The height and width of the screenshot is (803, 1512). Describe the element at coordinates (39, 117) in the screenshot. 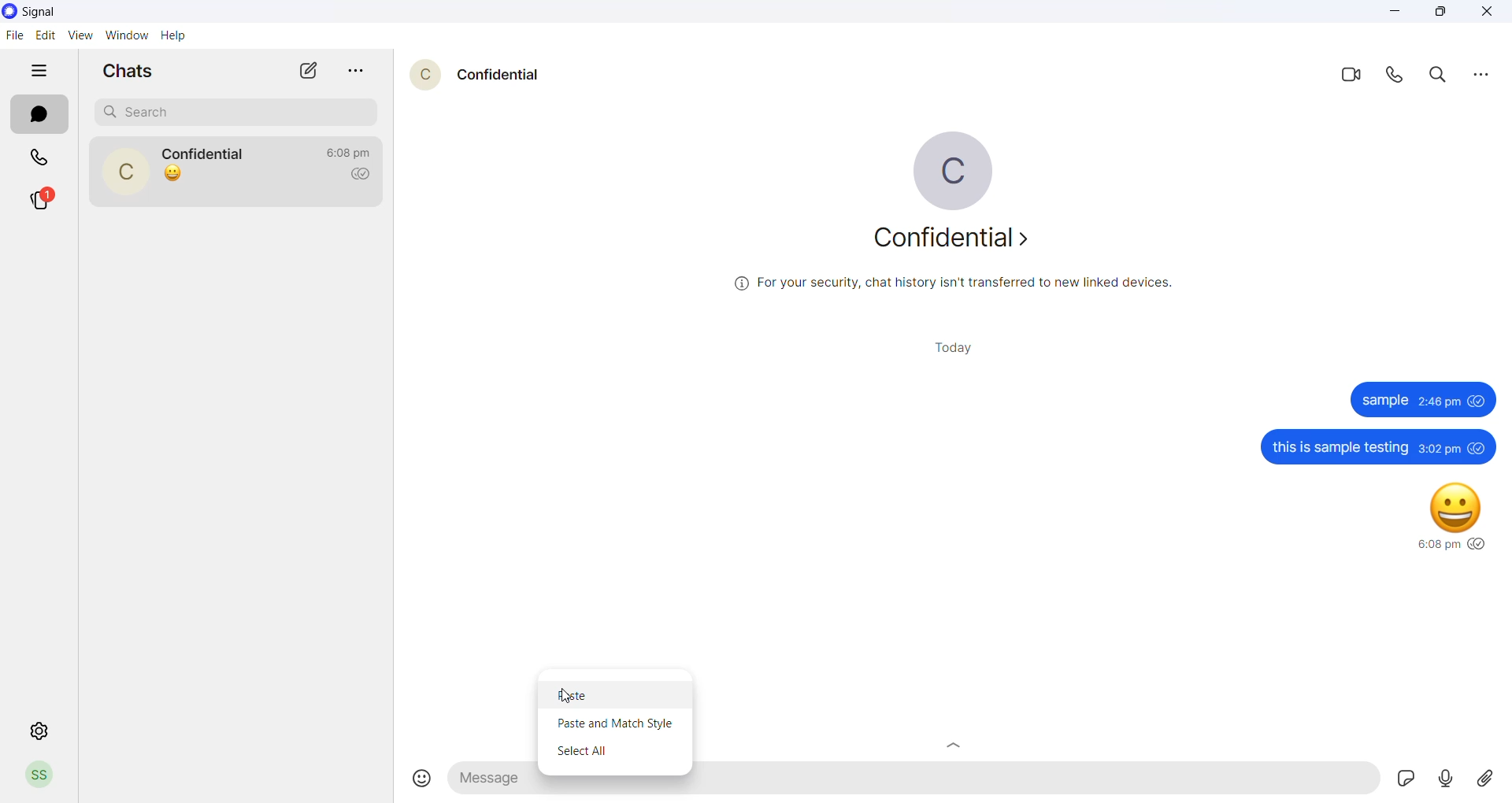

I see `chats` at that location.